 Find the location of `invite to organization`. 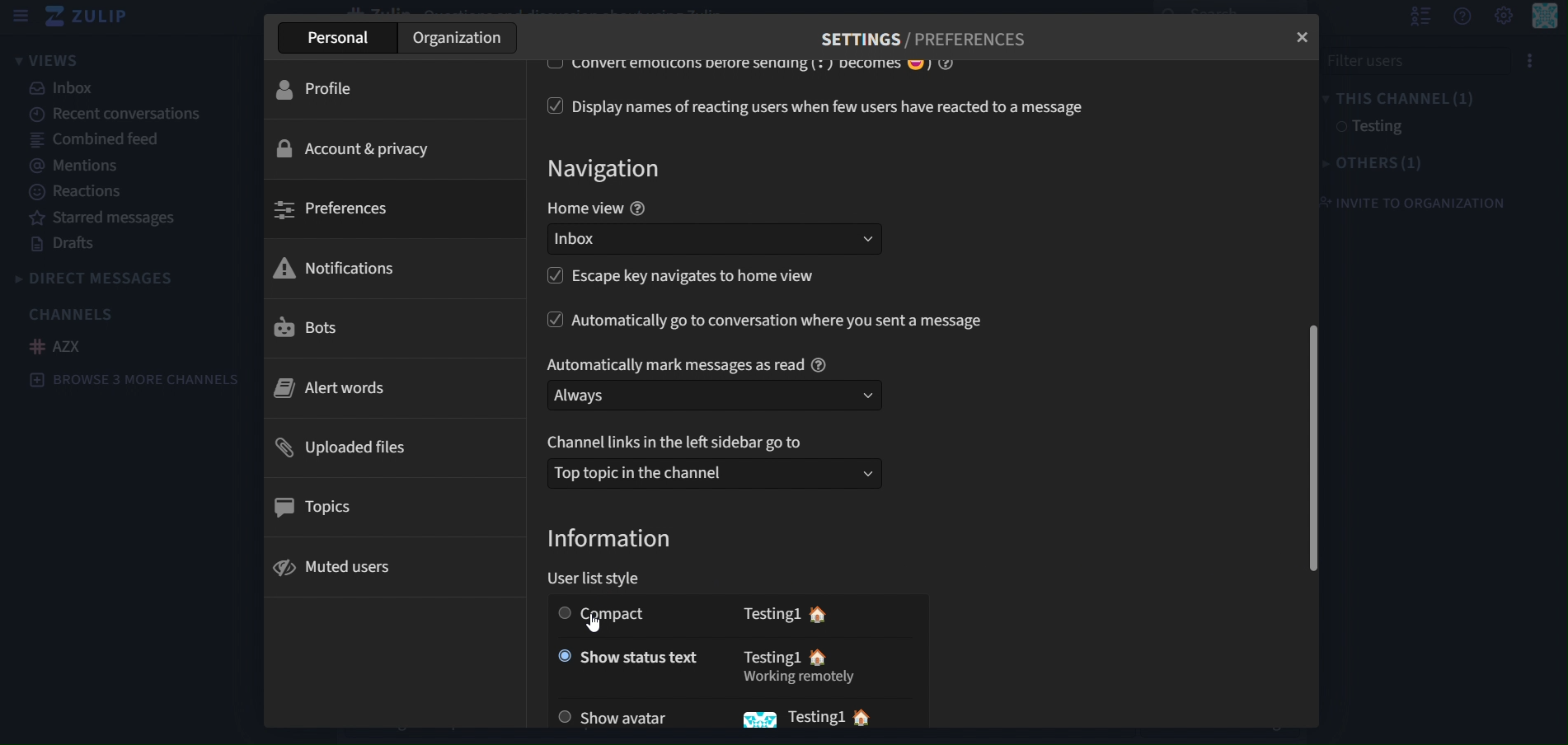

invite to organization is located at coordinates (1422, 202).